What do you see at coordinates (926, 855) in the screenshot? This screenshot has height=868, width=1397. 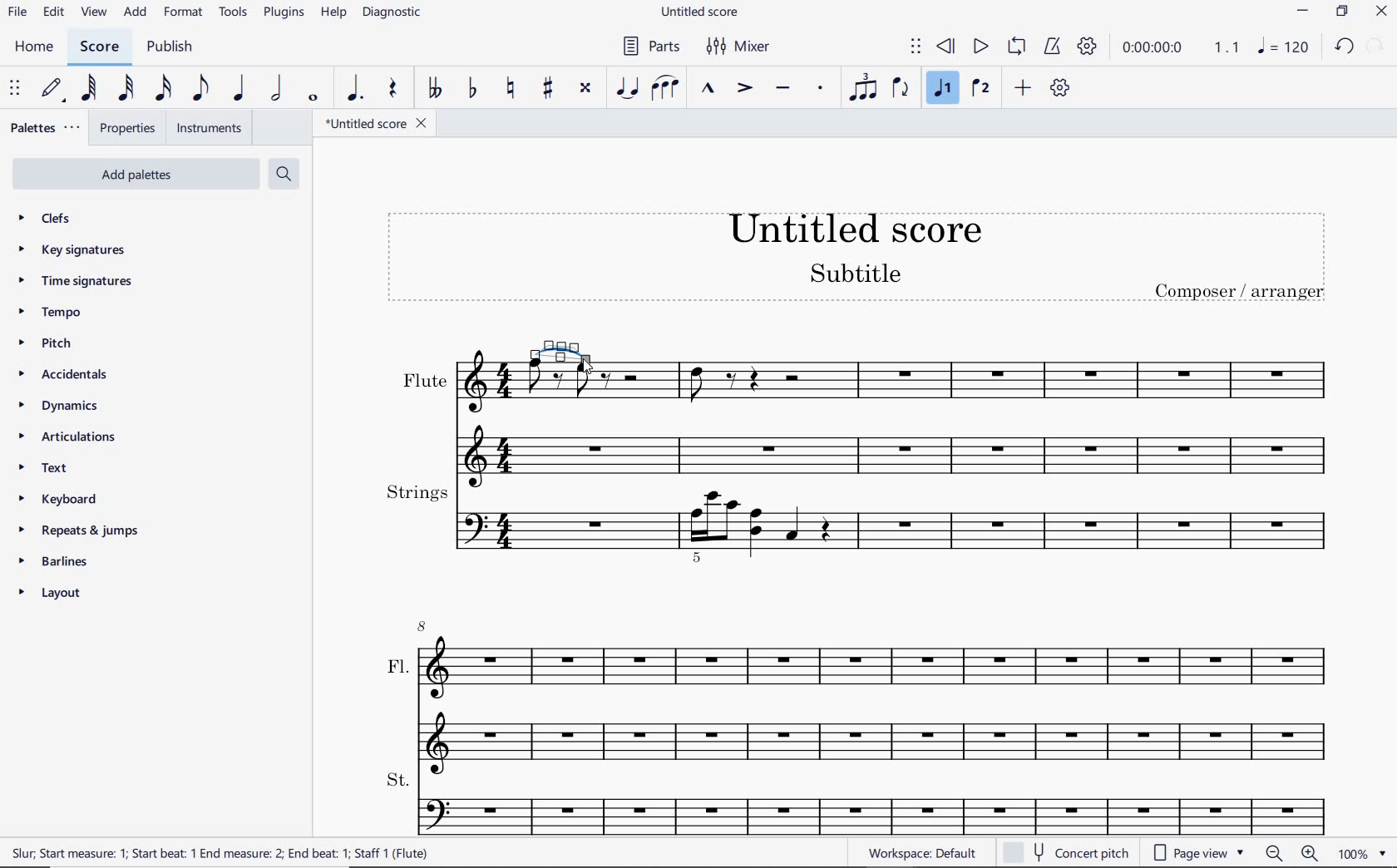 I see `workplace: default` at bounding box center [926, 855].